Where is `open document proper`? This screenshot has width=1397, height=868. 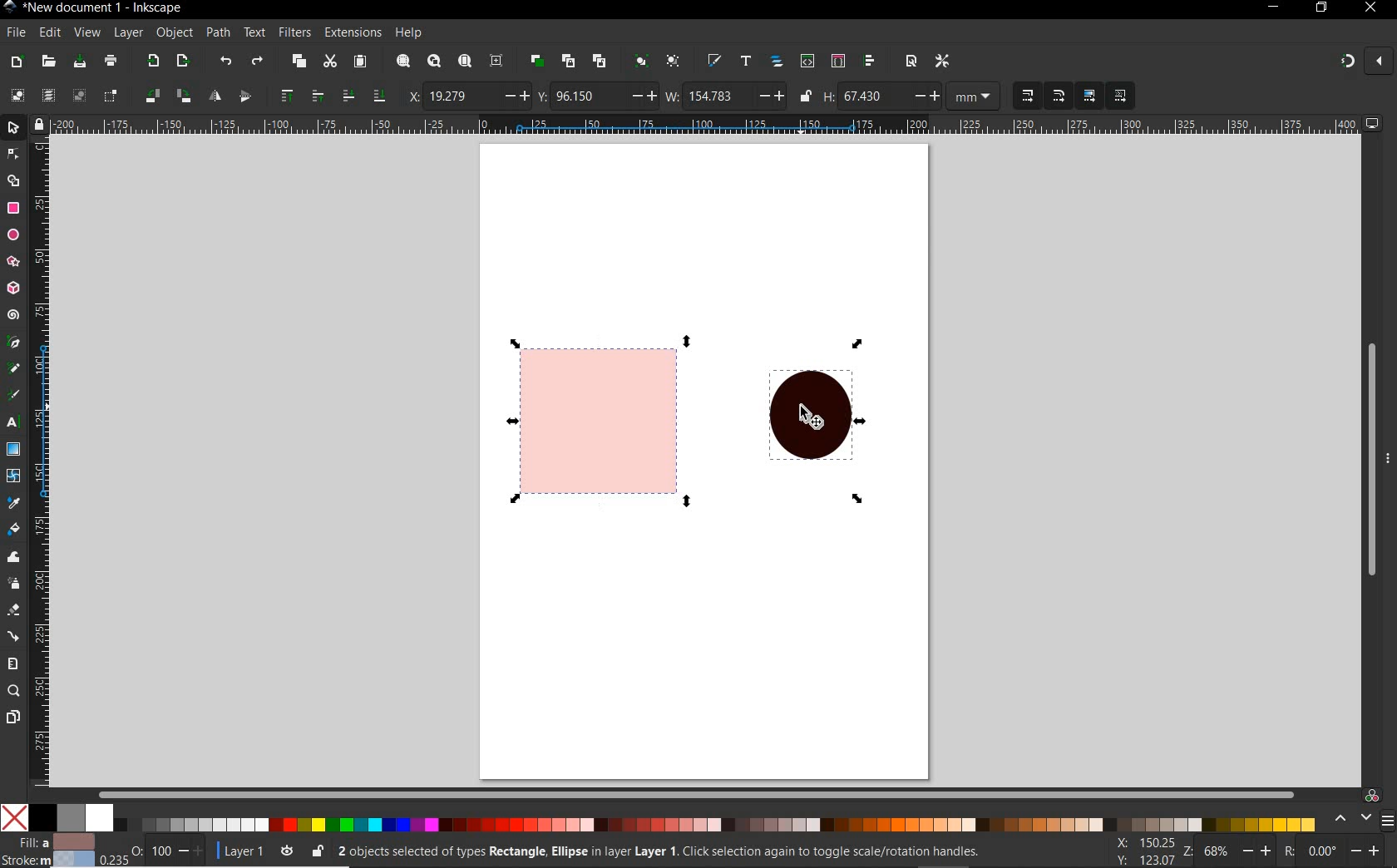 open document proper is located at coordinates (913, 62).